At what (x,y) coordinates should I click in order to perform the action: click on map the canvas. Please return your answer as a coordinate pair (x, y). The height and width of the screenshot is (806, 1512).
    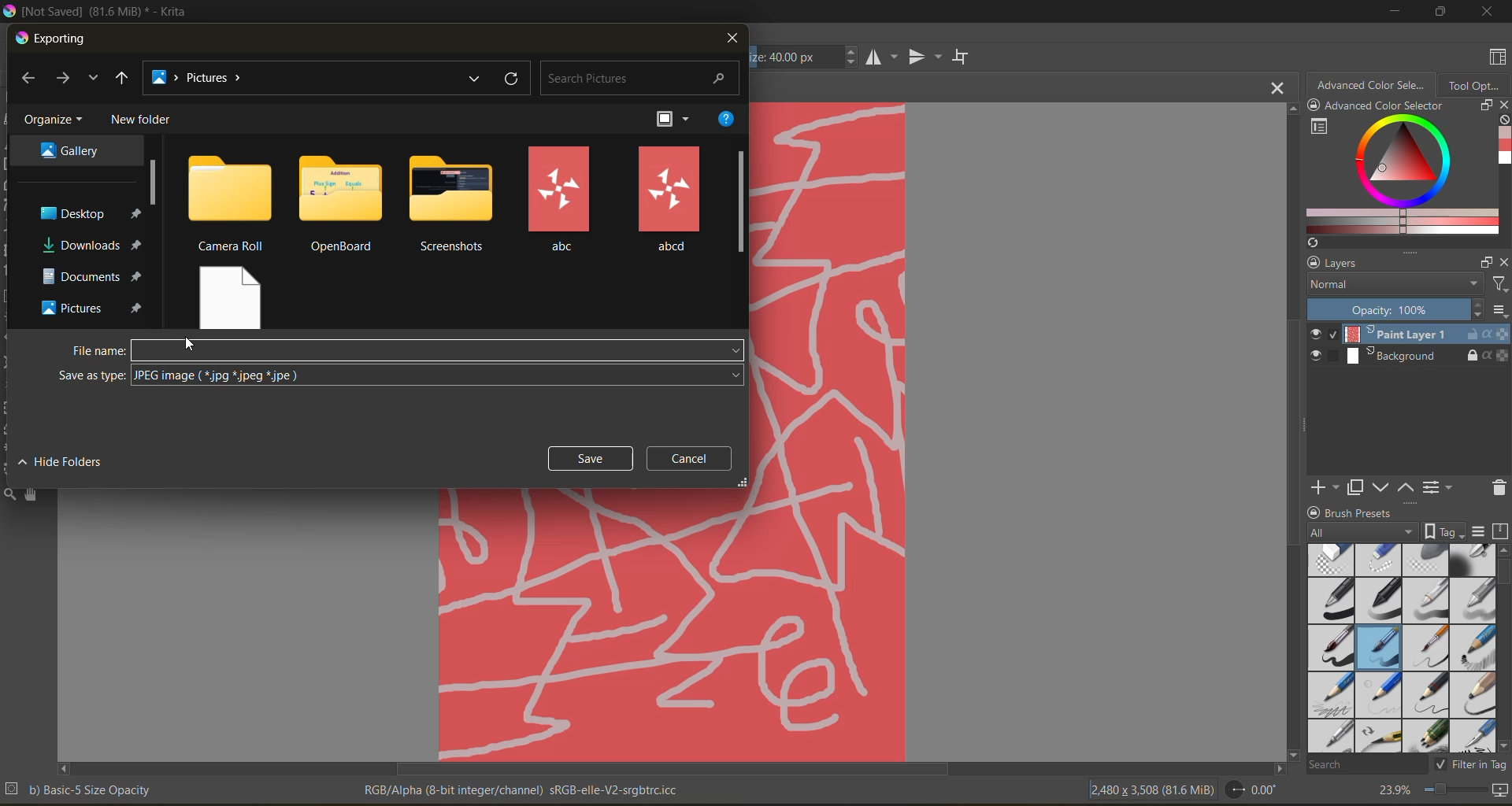
    Looking at the image, I should click on (1502, 793).